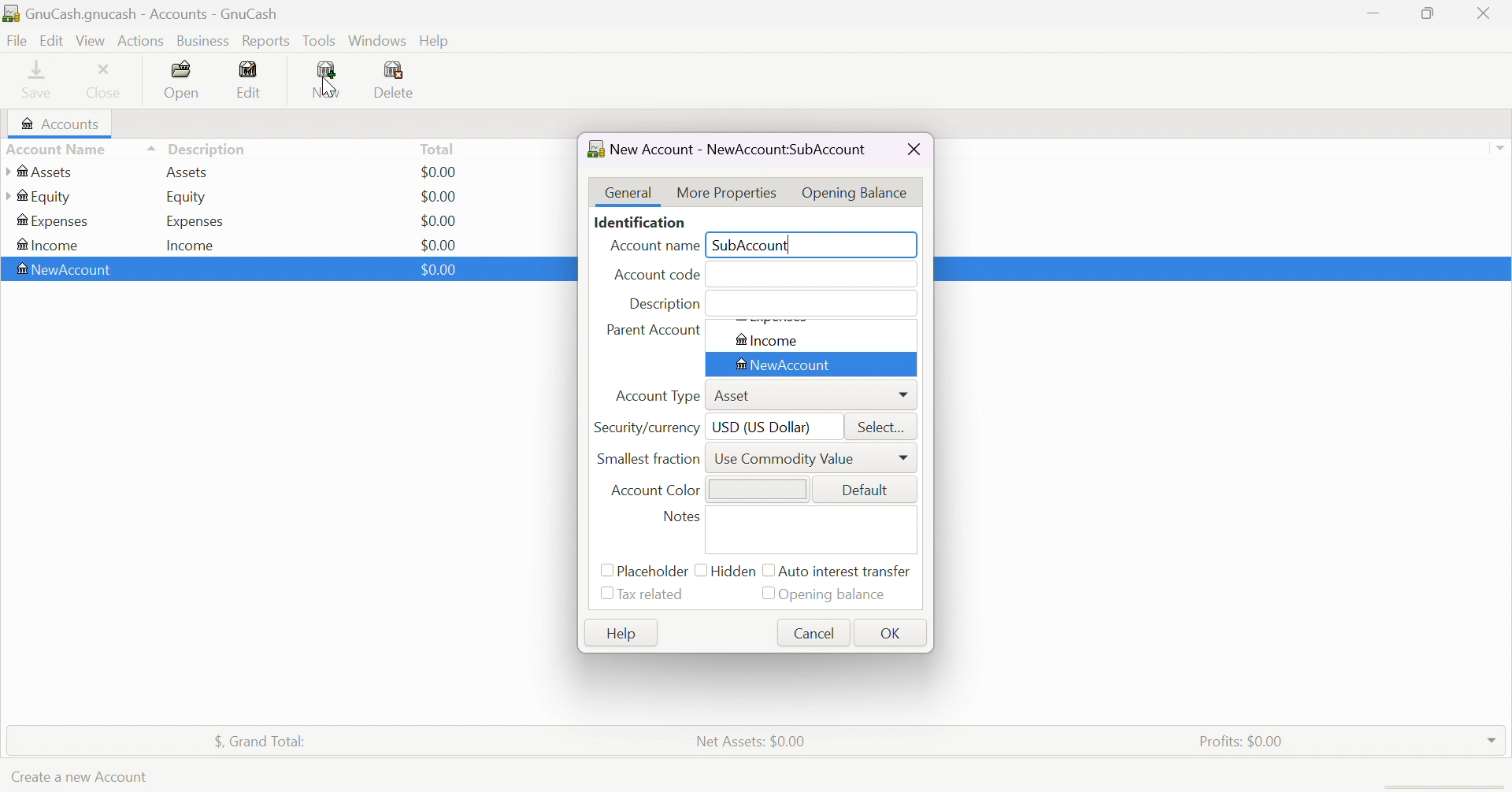  Describe the element at coordinates (626, 191) in the screenshot. I see `General` at that location.